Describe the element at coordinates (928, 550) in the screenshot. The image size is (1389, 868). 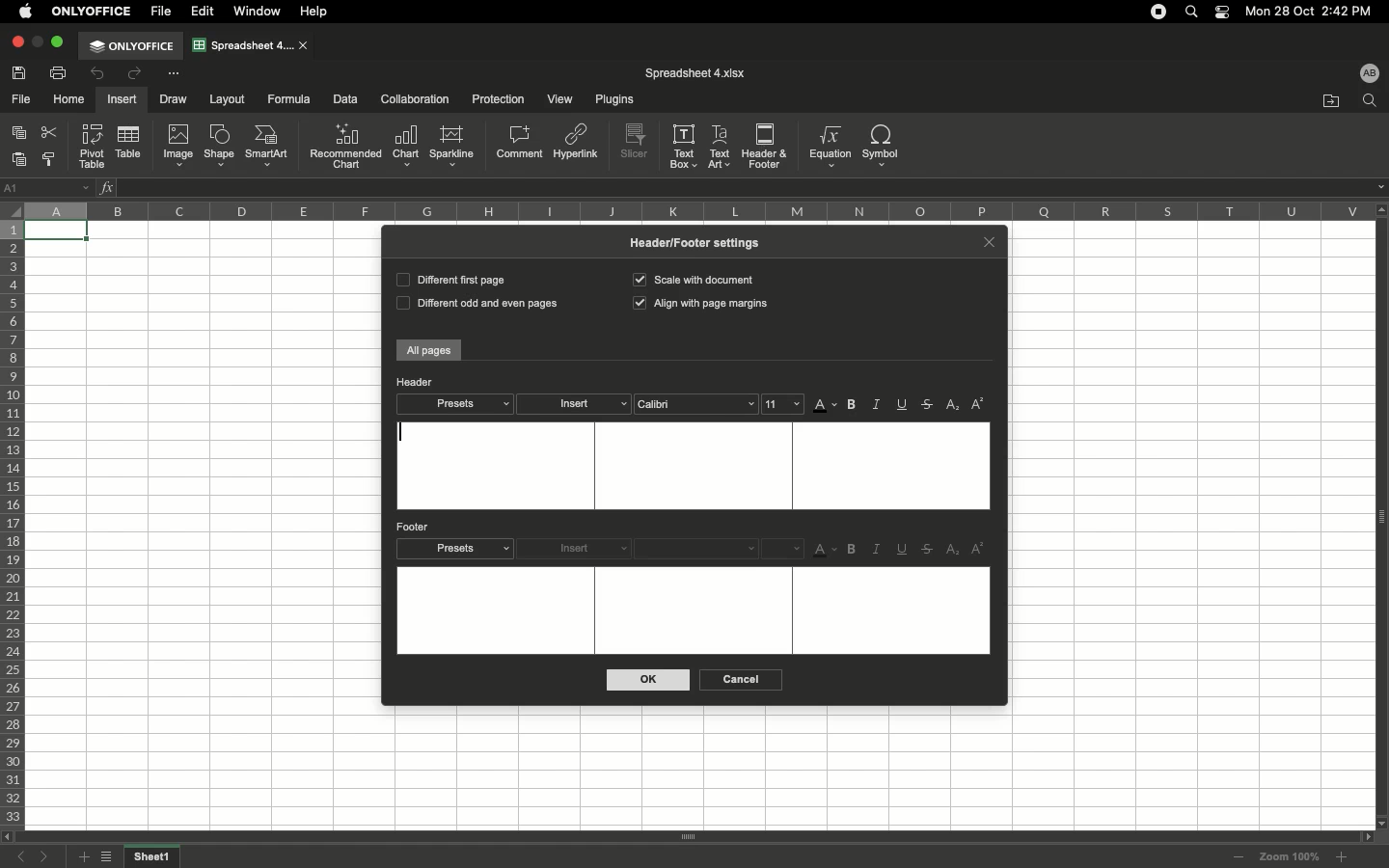
I see `Strikethrough` at that location.